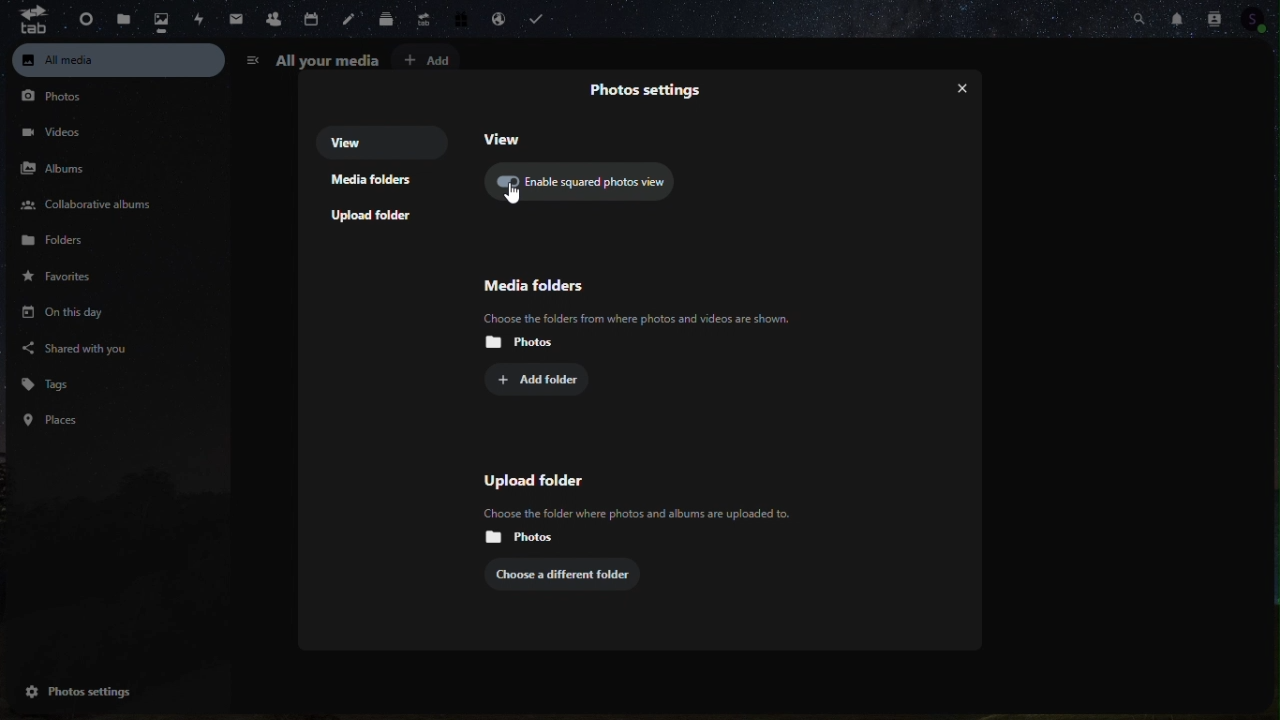 The image size is (1280, 720). What do you see at coordinates (78, 347) in the screenshot?
I see `Shared with you` at bounding box center [78, 347].